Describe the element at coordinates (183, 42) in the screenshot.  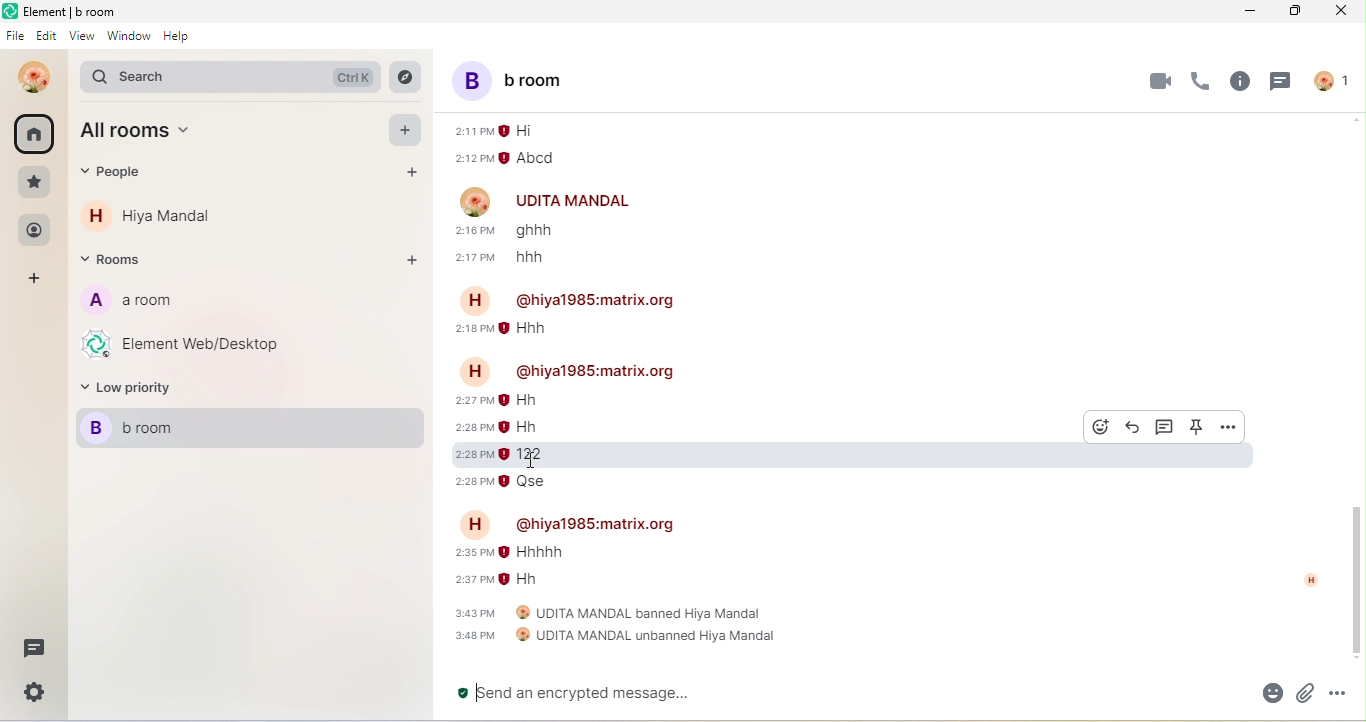
I see `help` at that location.